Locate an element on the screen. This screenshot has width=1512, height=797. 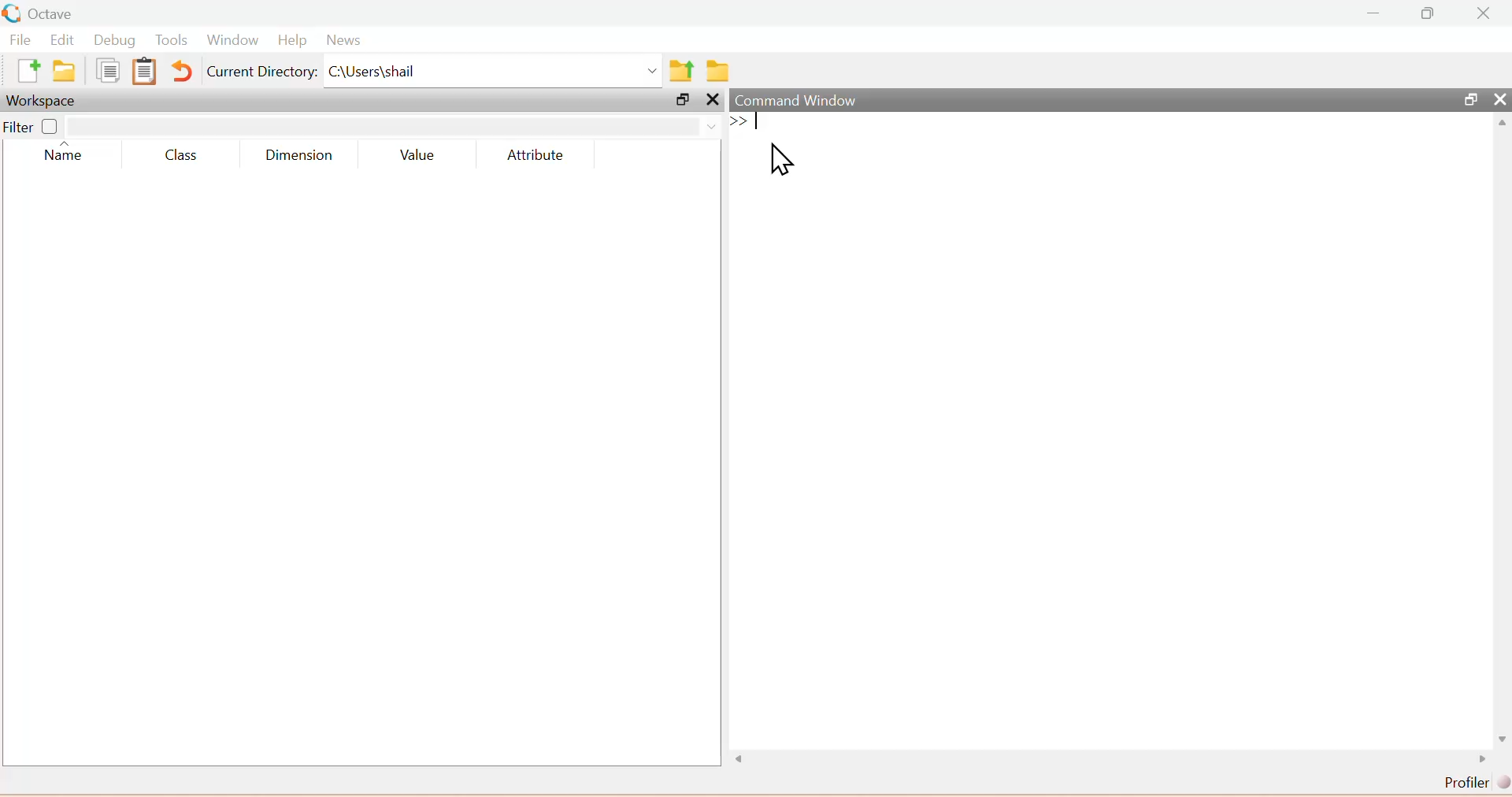
drop down is located at coordinates (709, 124).